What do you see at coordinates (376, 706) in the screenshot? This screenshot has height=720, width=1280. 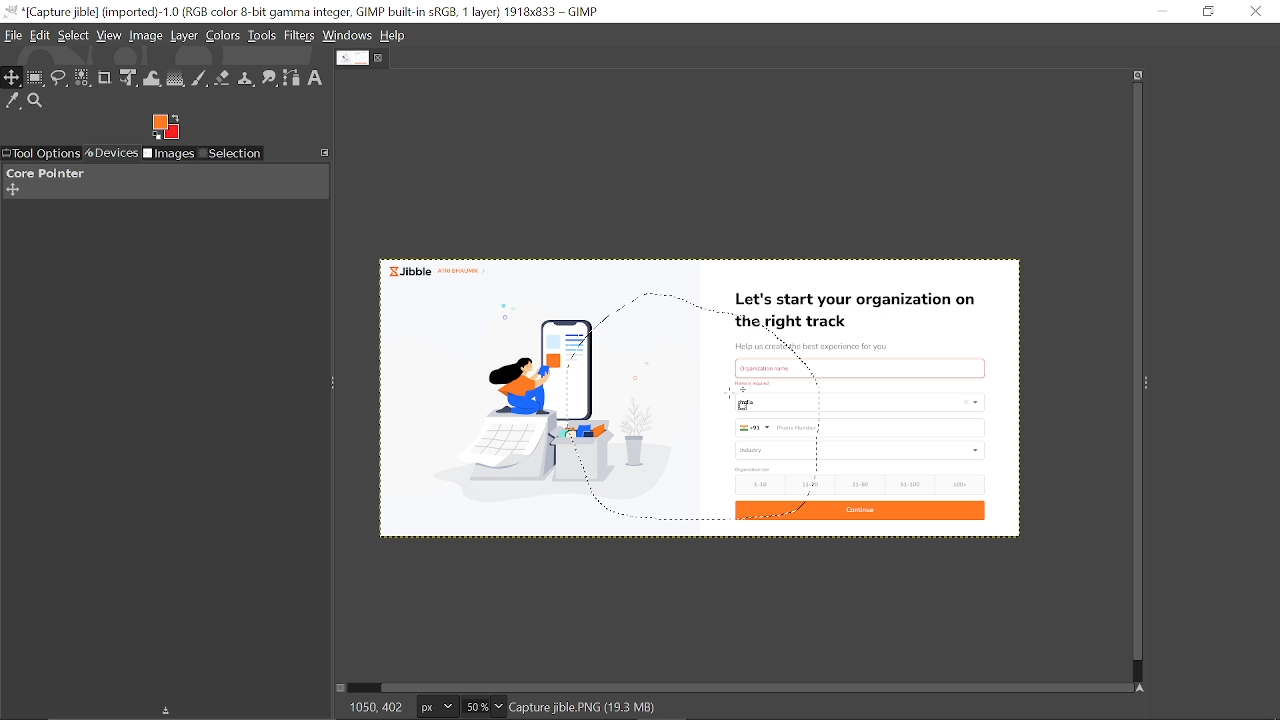 I see `646, 384` at bounding box center [376, 706].